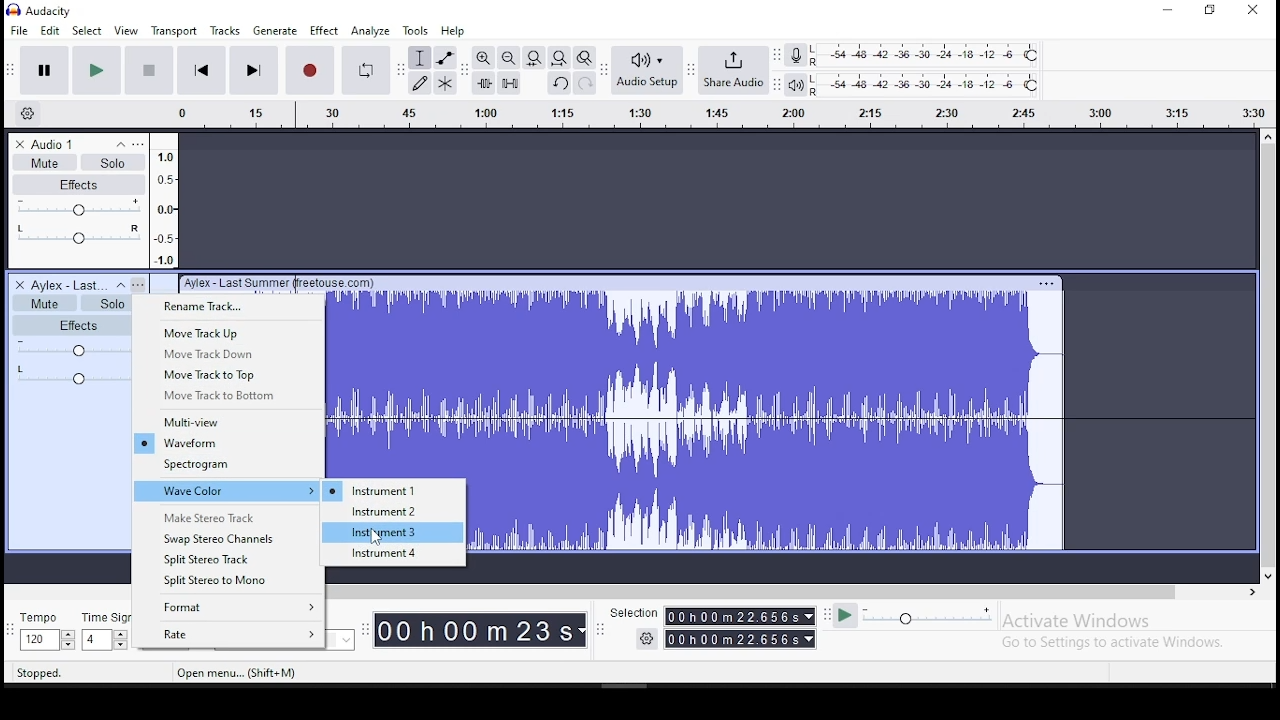 The width and height of the screenshot is (1280, 720). I want to click on effects, so click(80, 184).